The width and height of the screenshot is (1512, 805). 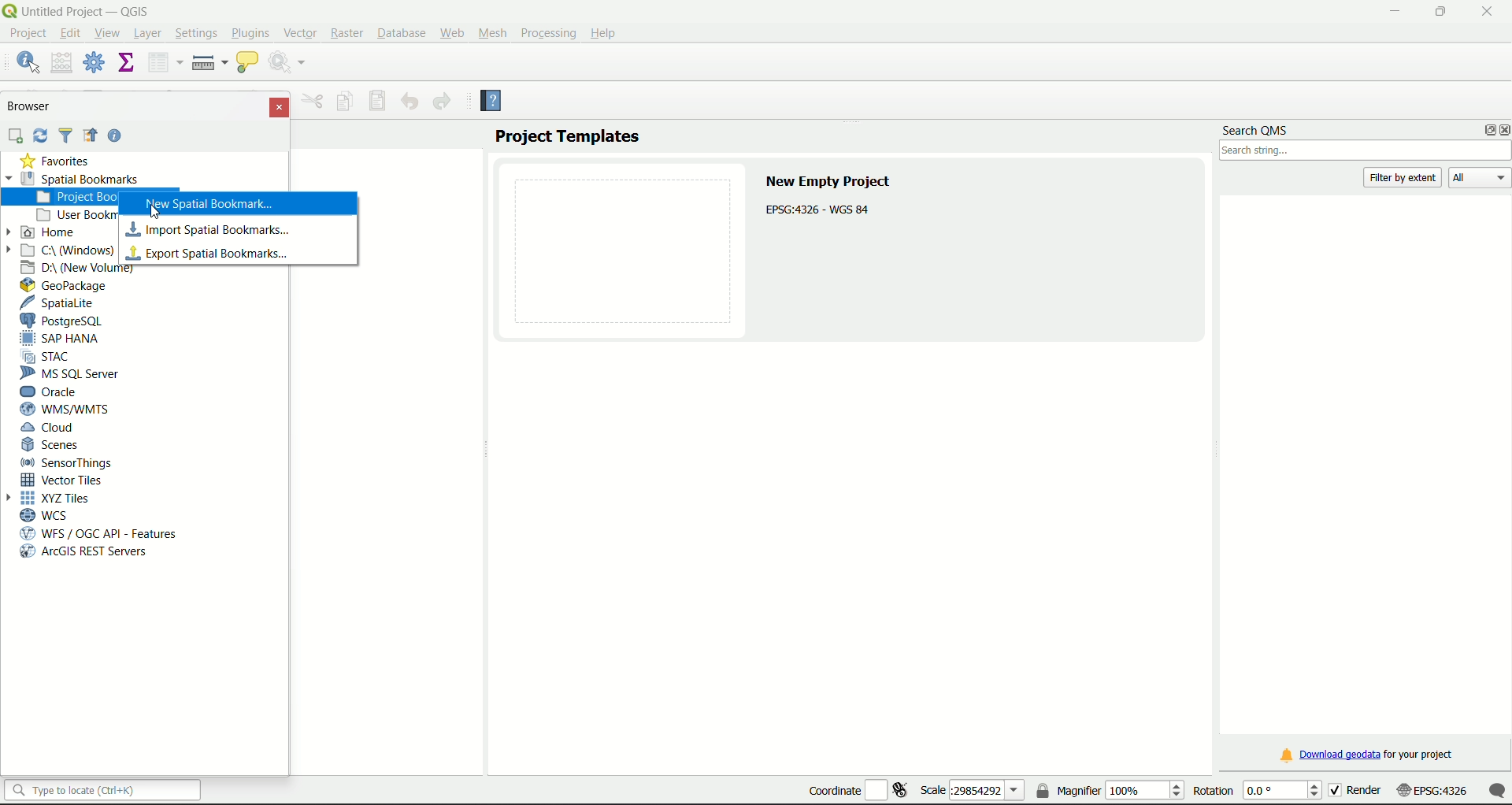 I want to click on Home, so click(x=50, y=232).